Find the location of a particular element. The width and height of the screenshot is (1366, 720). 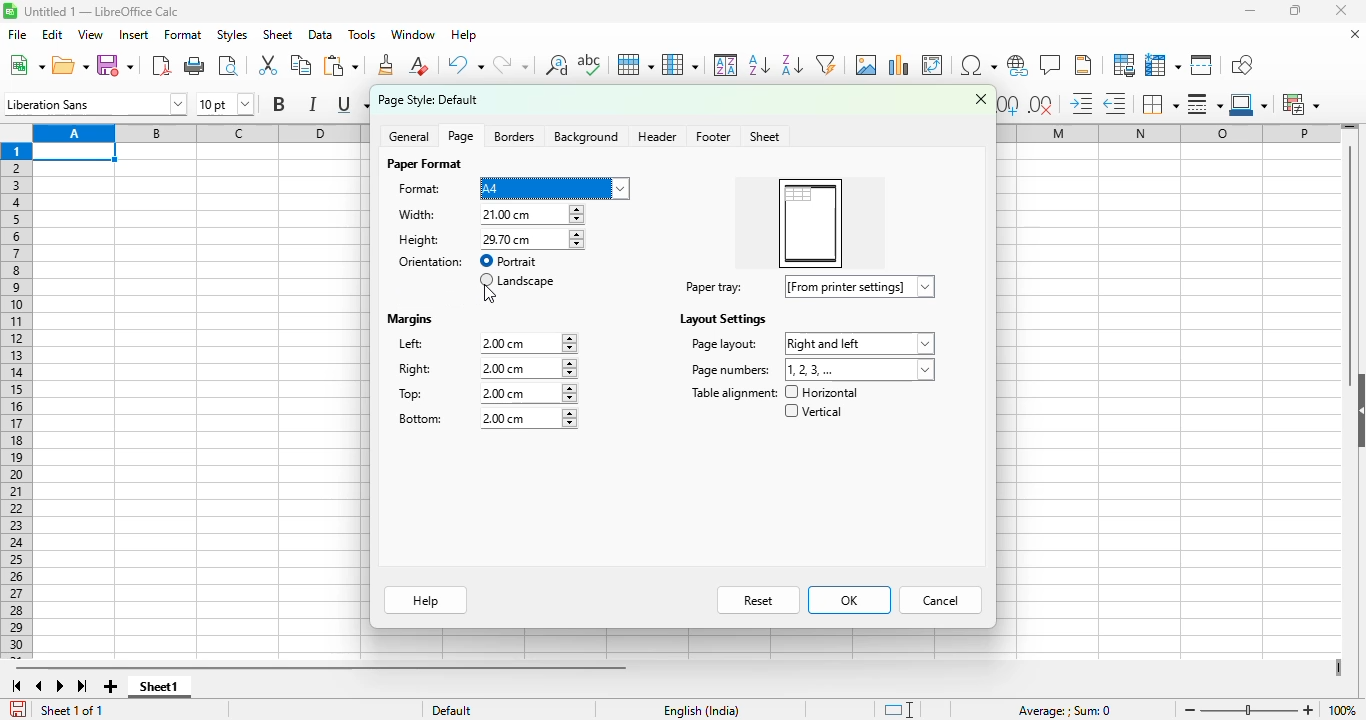

open is located at coordinates (70, 66).